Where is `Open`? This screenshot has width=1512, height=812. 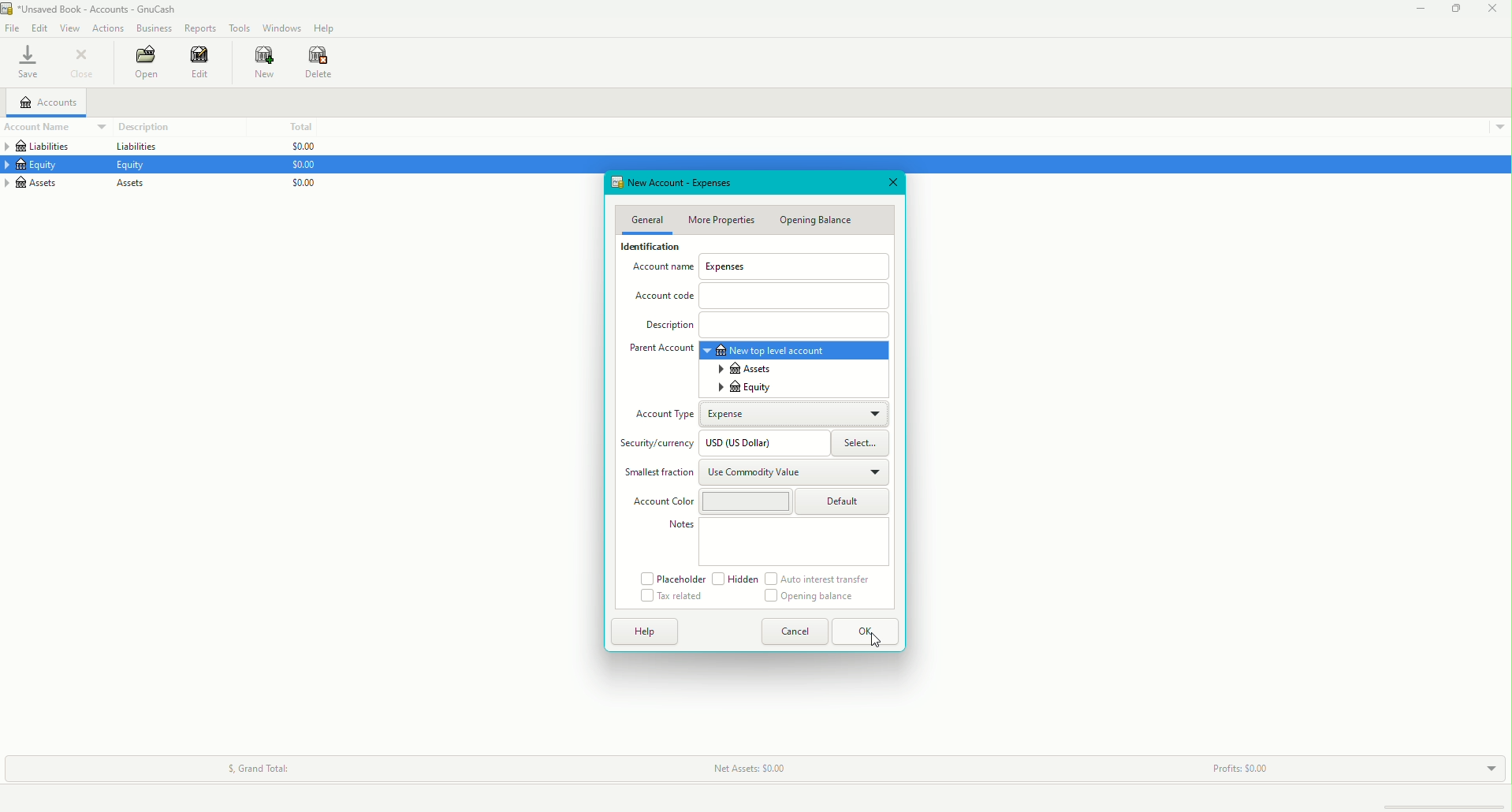 Open is located at coordinates (142, 63).